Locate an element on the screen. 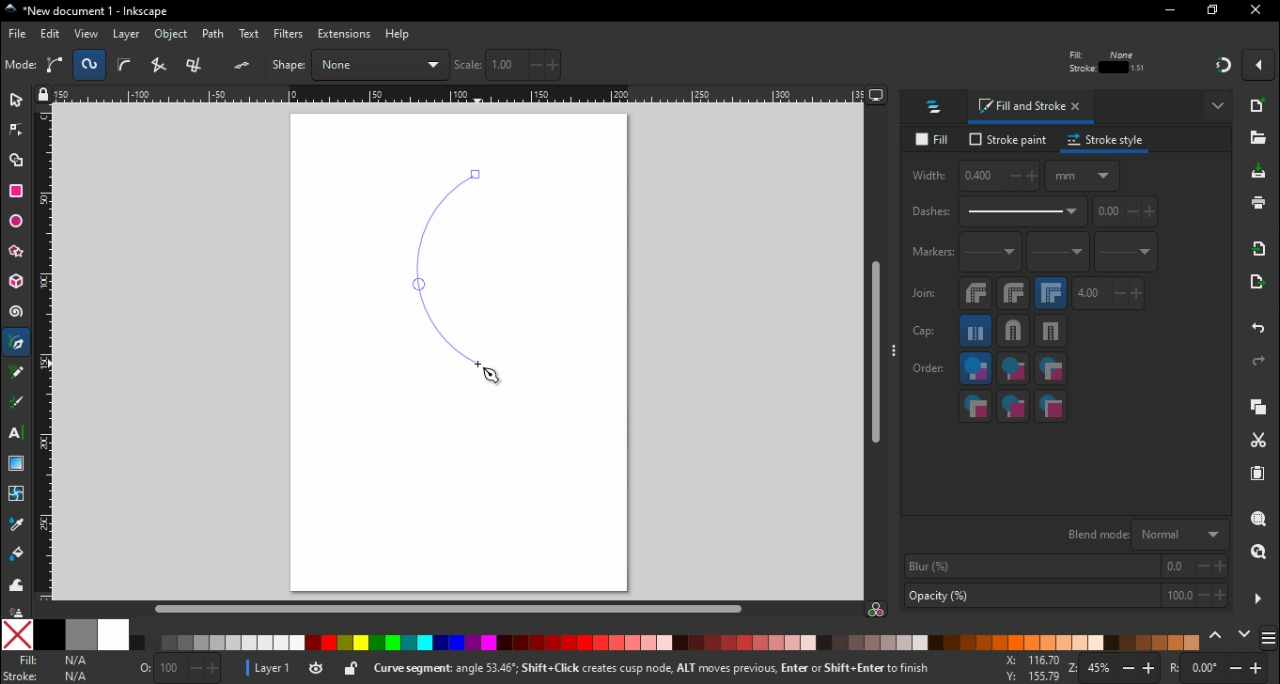 This screenshot has height=684, width=1280. copy is located at coordinates (1263, 409).